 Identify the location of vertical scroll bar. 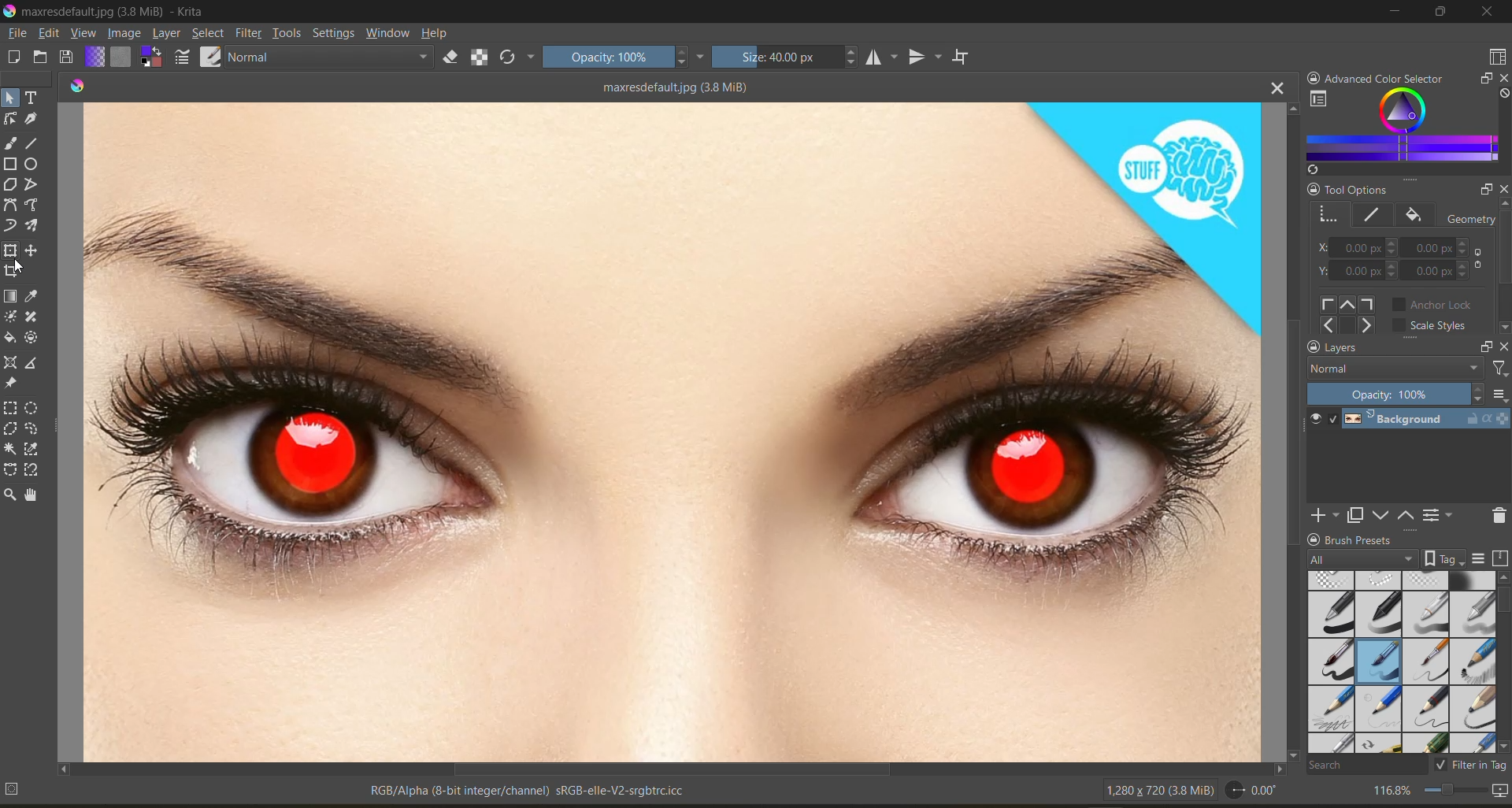
(1503, 269).